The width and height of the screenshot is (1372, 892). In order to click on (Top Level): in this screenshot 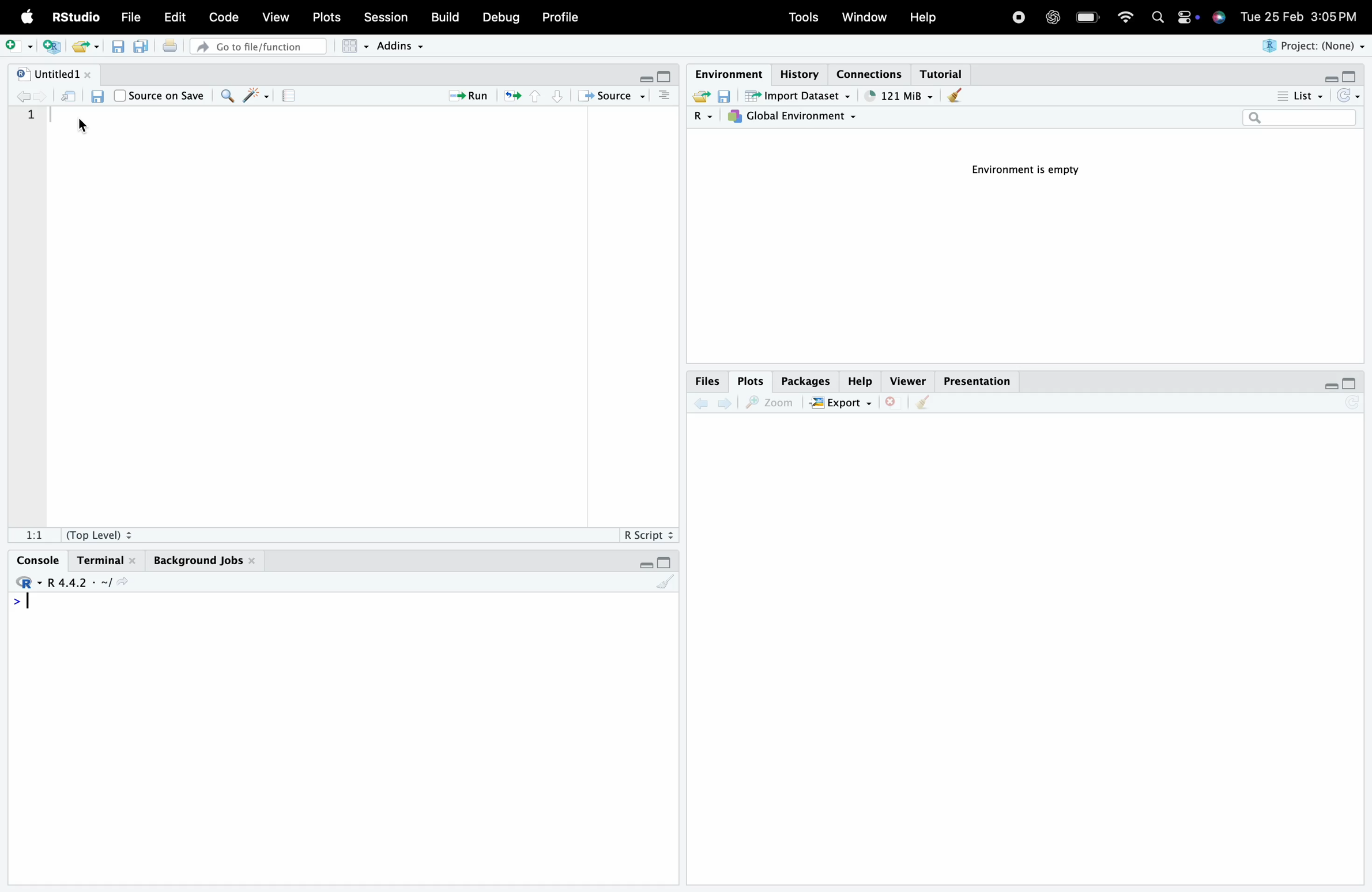, I will do `click(100, 532)`.